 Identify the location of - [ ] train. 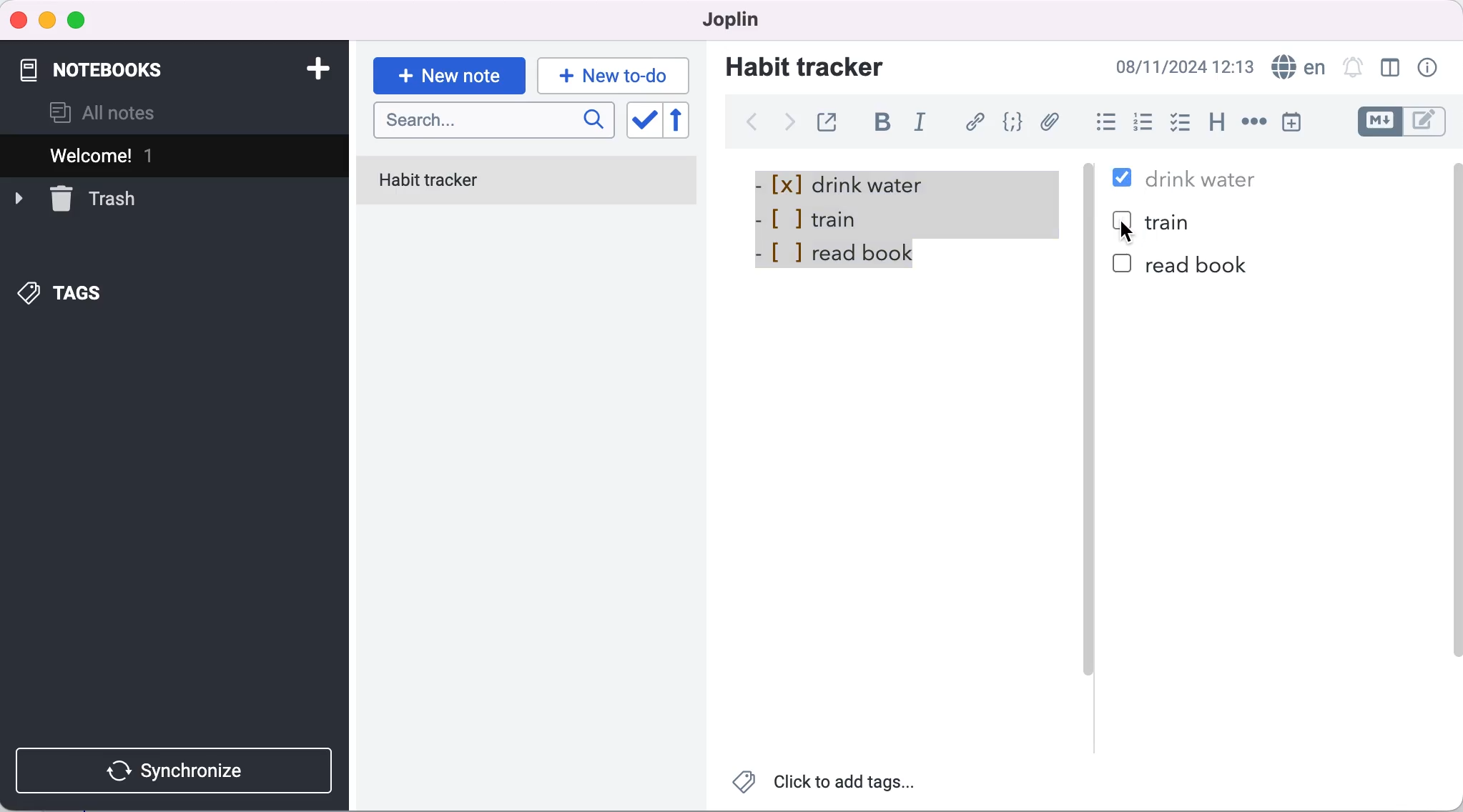
(819, 217).